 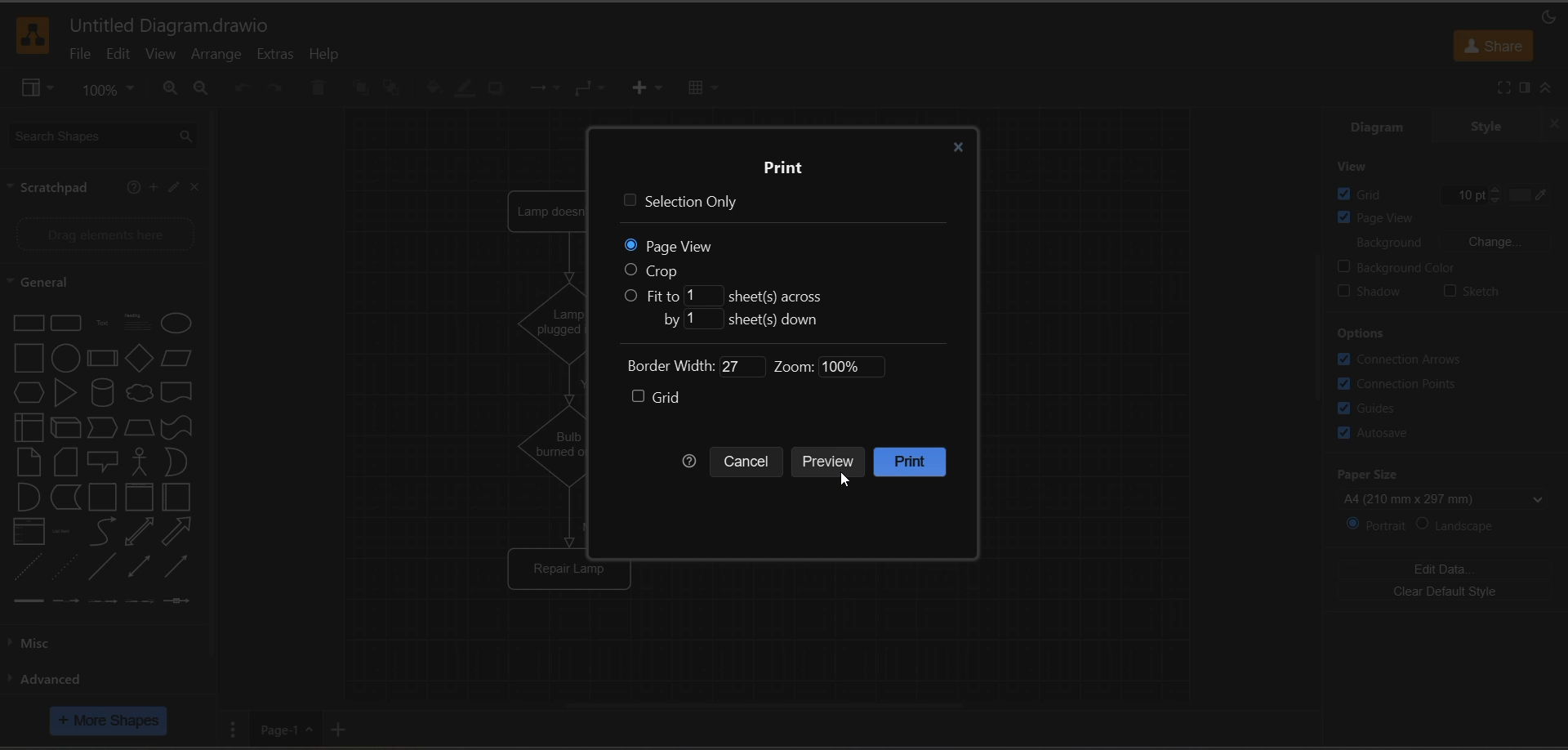 What do you see at coordinates (278, 88) in the screenshot?
I see `redo` at bounding box center [278, 88].